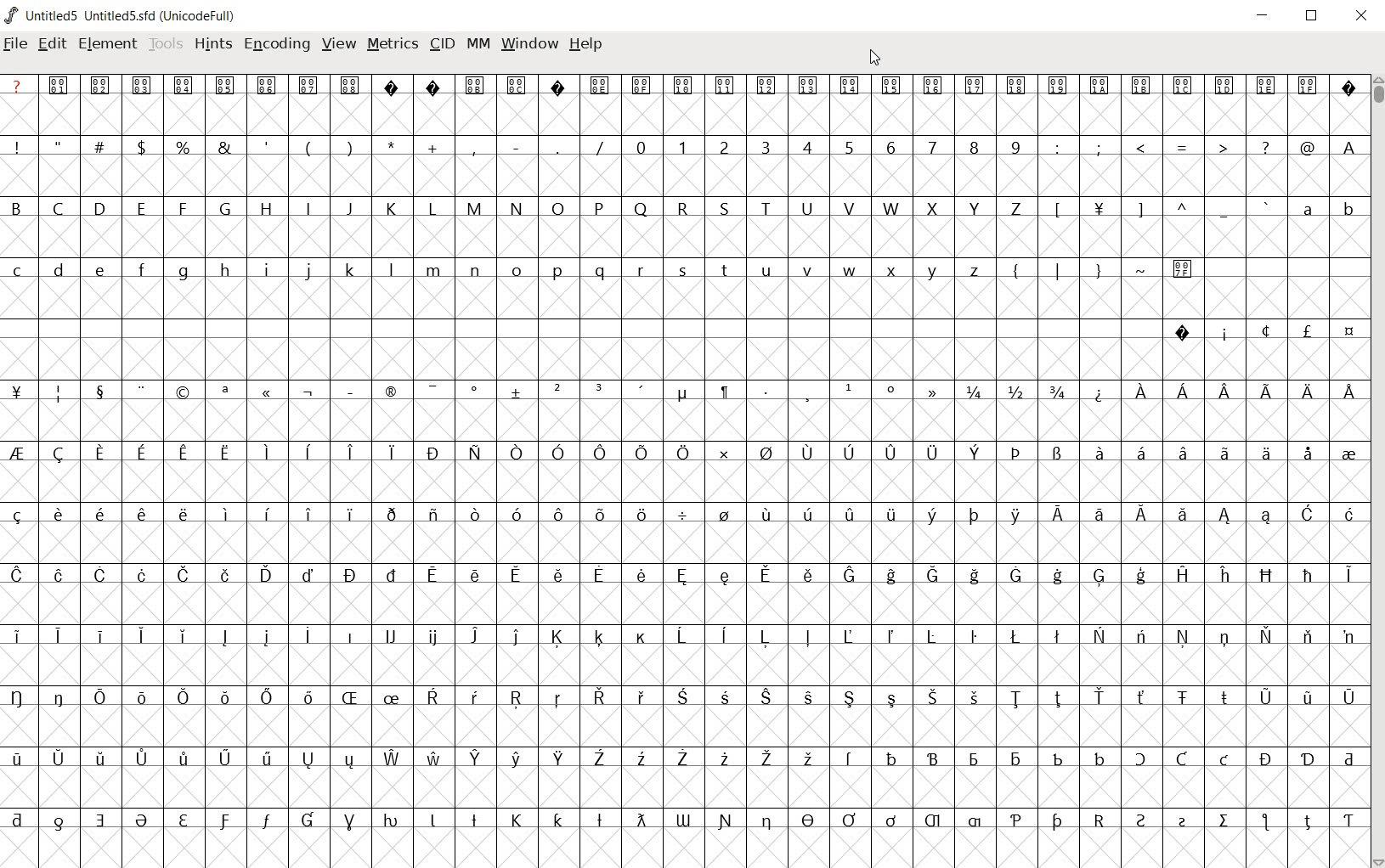 This screenshot has height=868, width=1385. I want to click on , so click(181, 514).